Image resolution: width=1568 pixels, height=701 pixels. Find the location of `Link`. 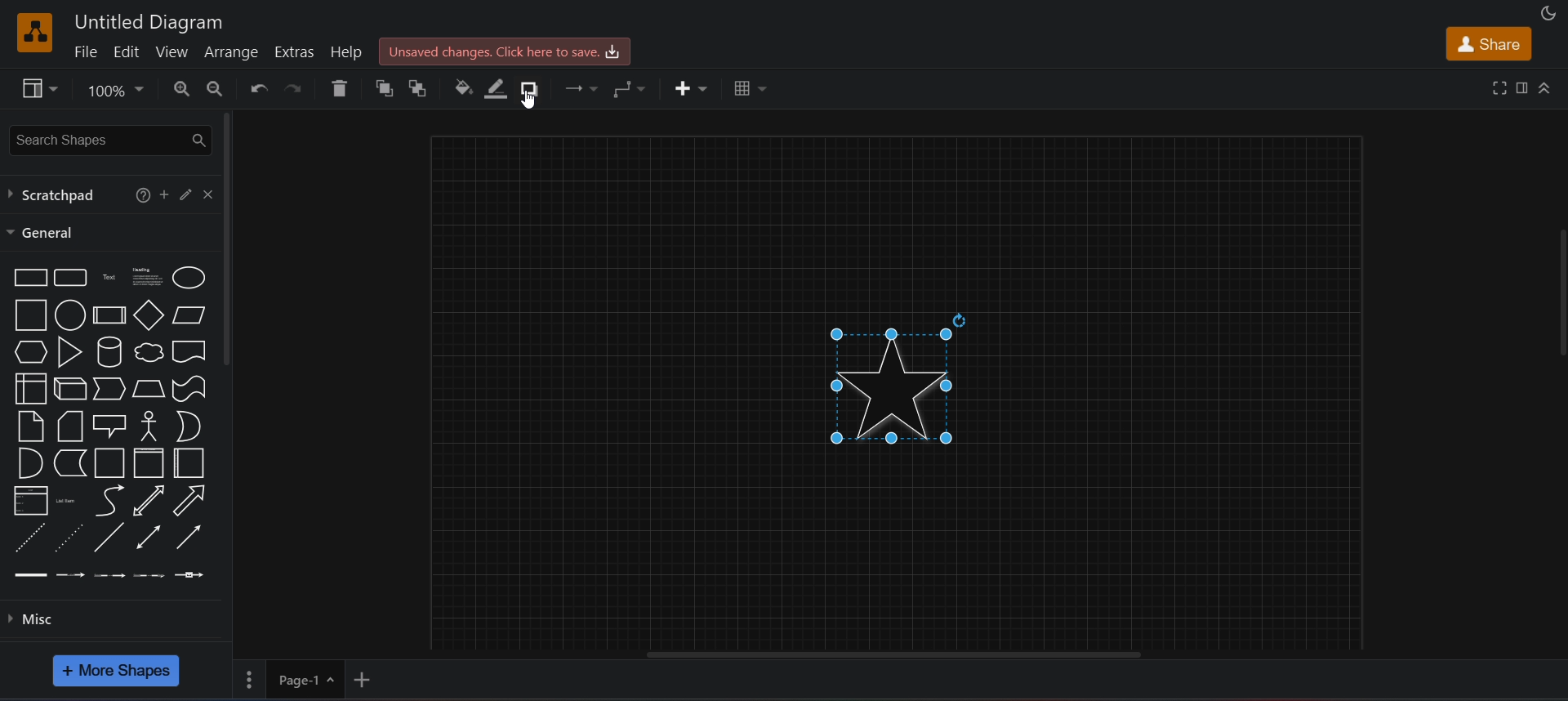

Link is located at coordinates (31, 578).